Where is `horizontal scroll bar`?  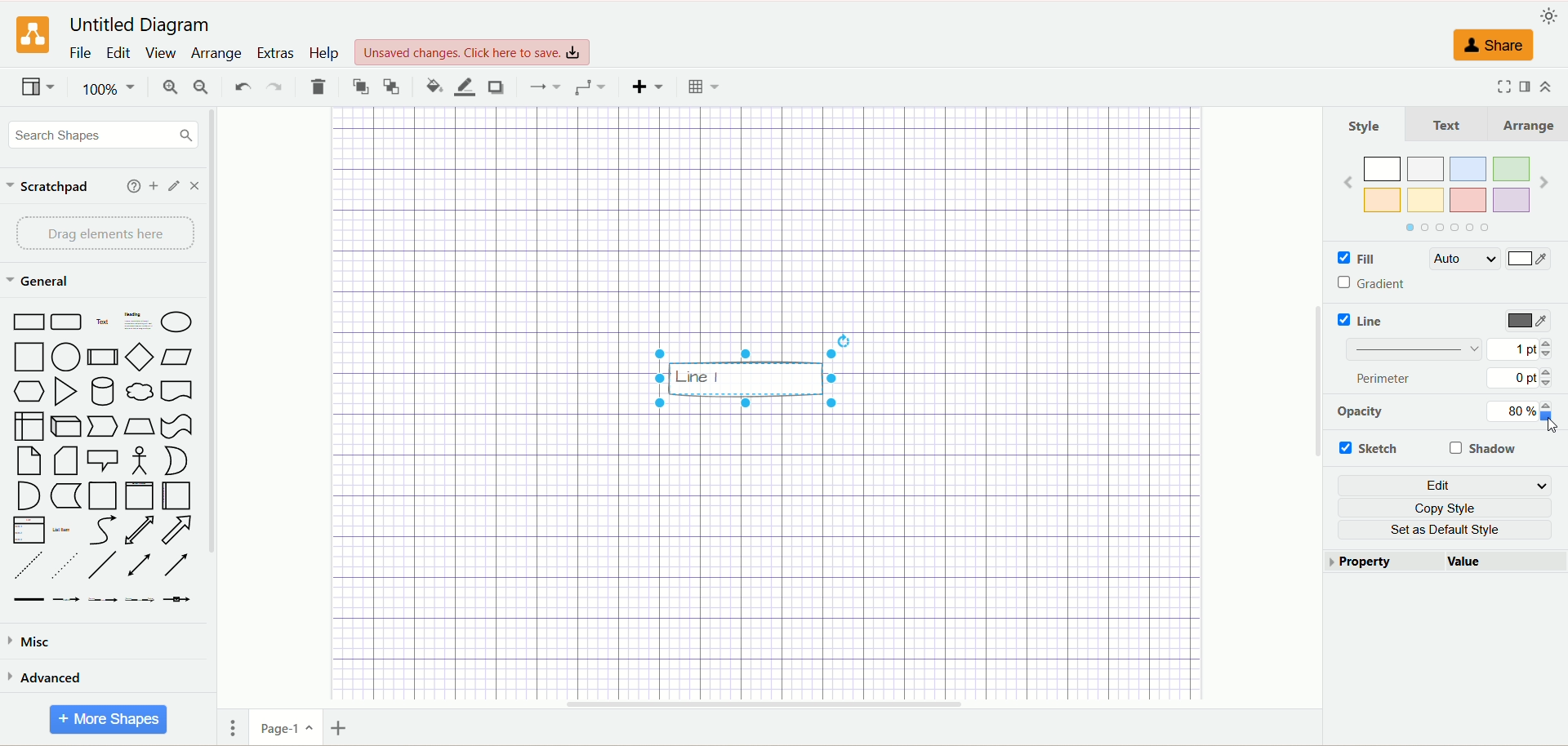 horizontal scroll bar is located at coordinates (767, 704).